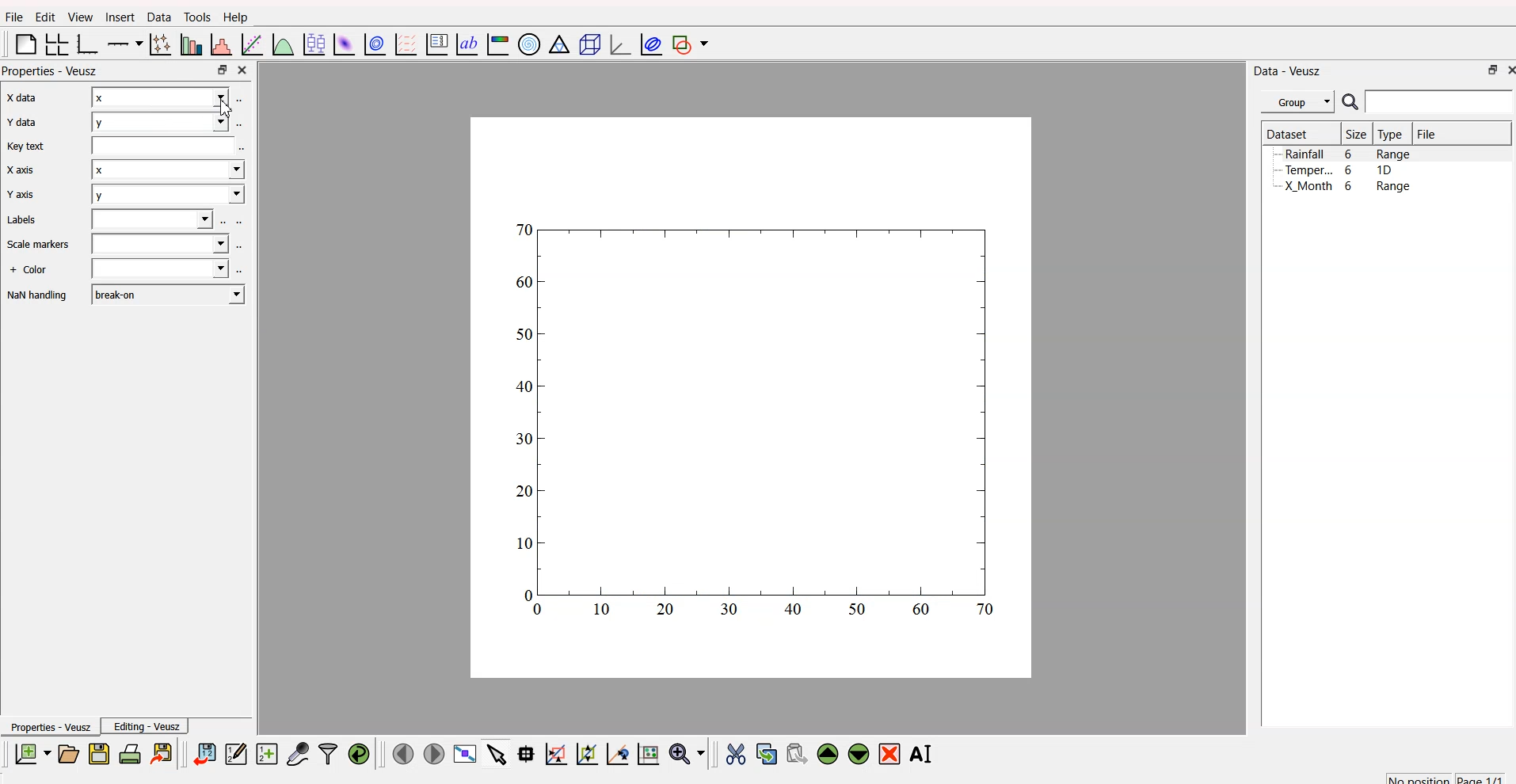 The image size is (1516, 784). I want to click on move to previous page, so click(403, 752).